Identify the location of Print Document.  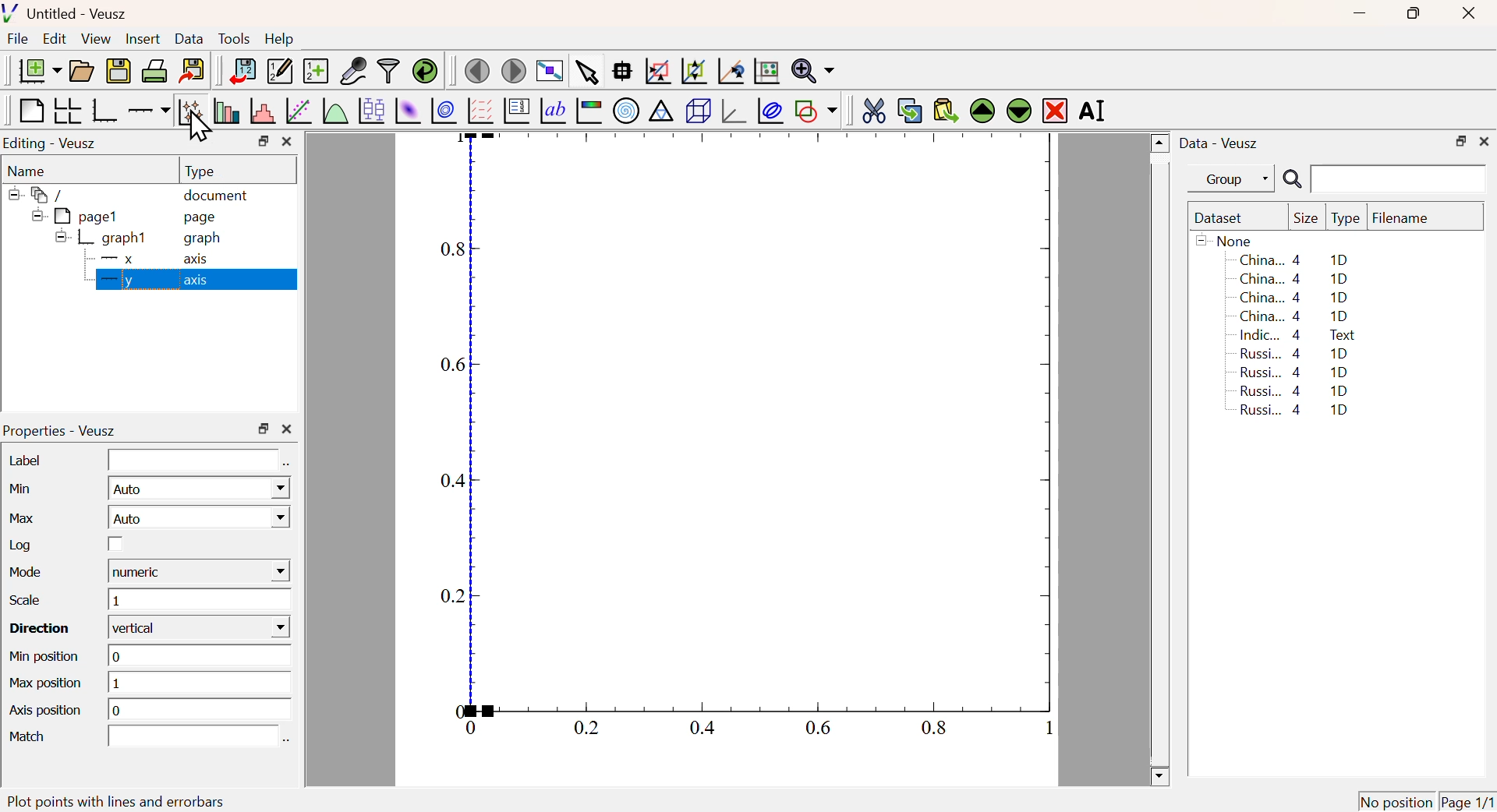
(154, 70).